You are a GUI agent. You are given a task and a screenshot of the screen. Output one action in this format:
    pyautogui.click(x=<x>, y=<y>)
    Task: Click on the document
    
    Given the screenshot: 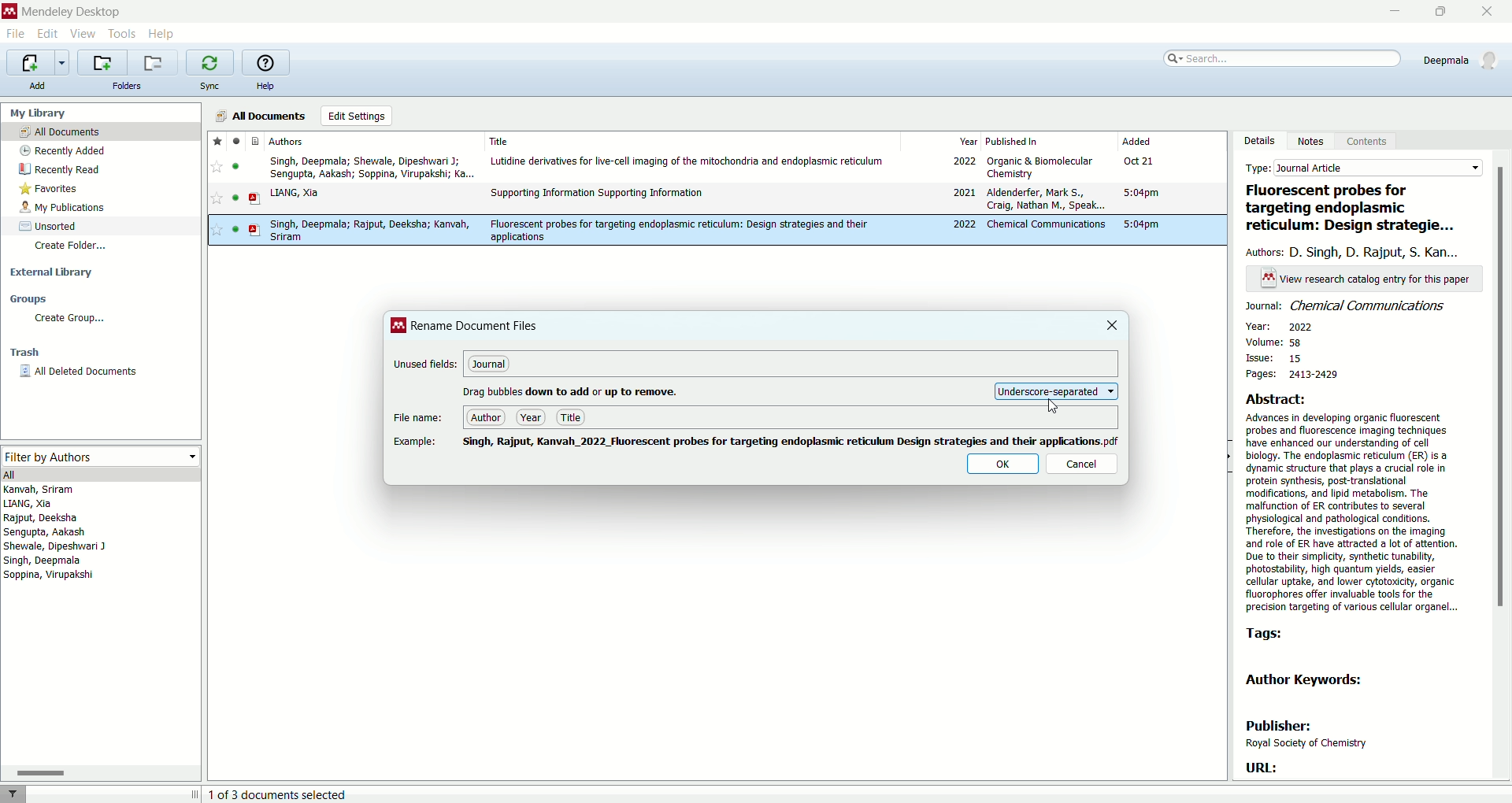 What is the action you would take?
    pyautogui.click(x=254, y=198)
    